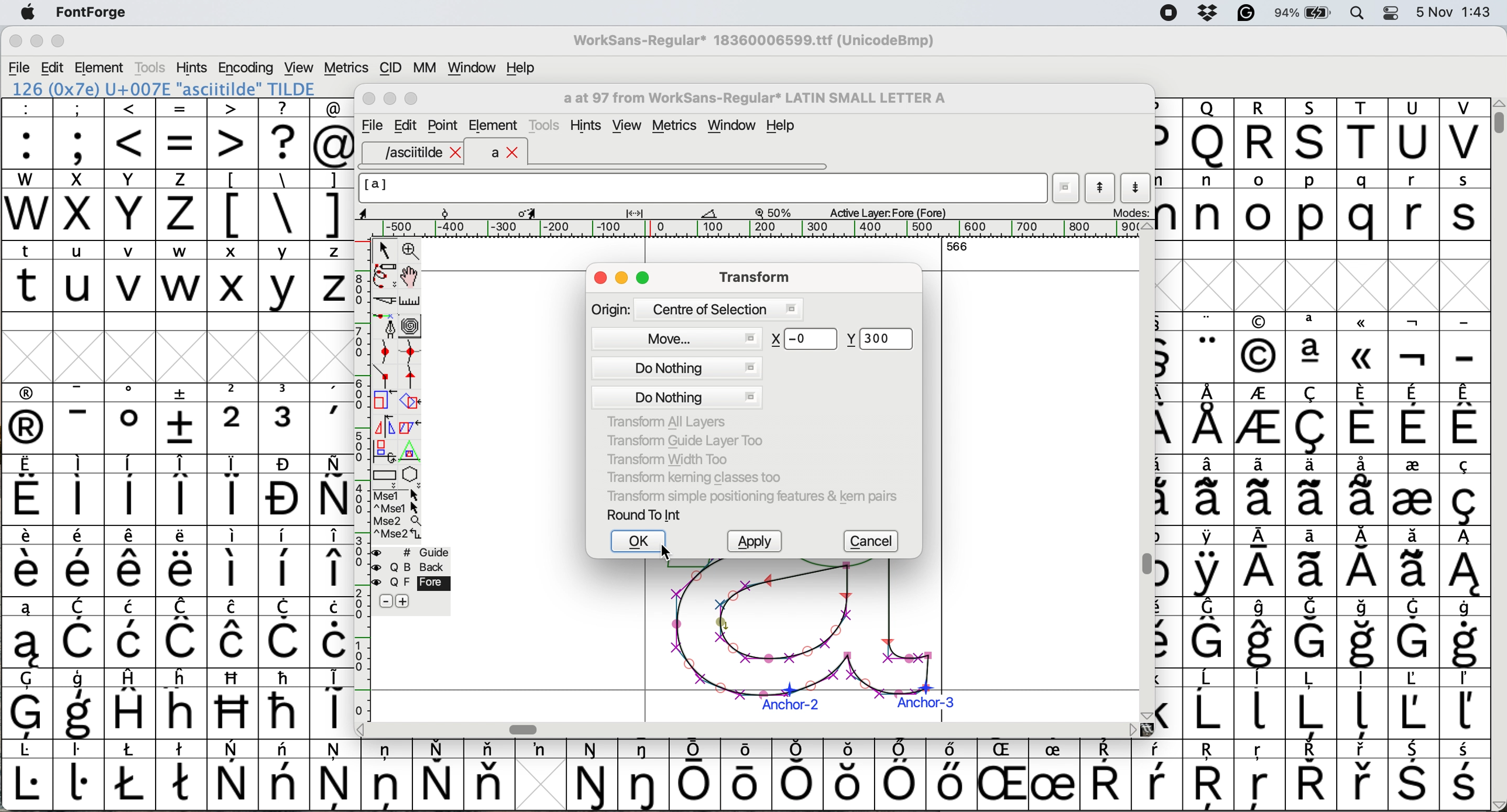 The height and width of the screenshot is (812, 1507). Describe the element at coordinates (1497, 804) in the screenshot. I see `scroll button` at that location.